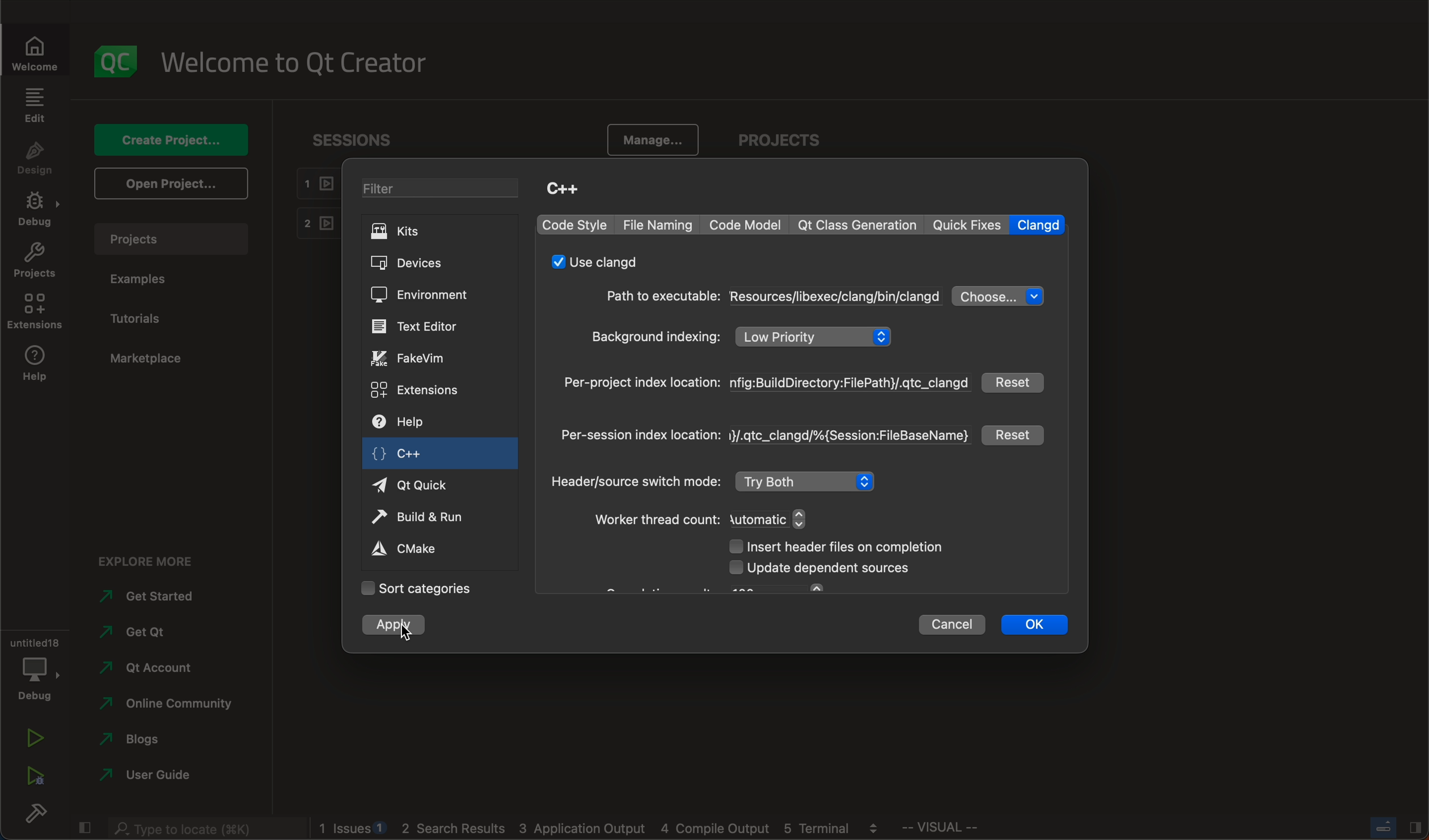 Image resolution: width=1429 pixels, height=840 pixels. What do you see at coordinates (425, 485) in the screenshot?
I see `qt` at bounding box center [425, 485].